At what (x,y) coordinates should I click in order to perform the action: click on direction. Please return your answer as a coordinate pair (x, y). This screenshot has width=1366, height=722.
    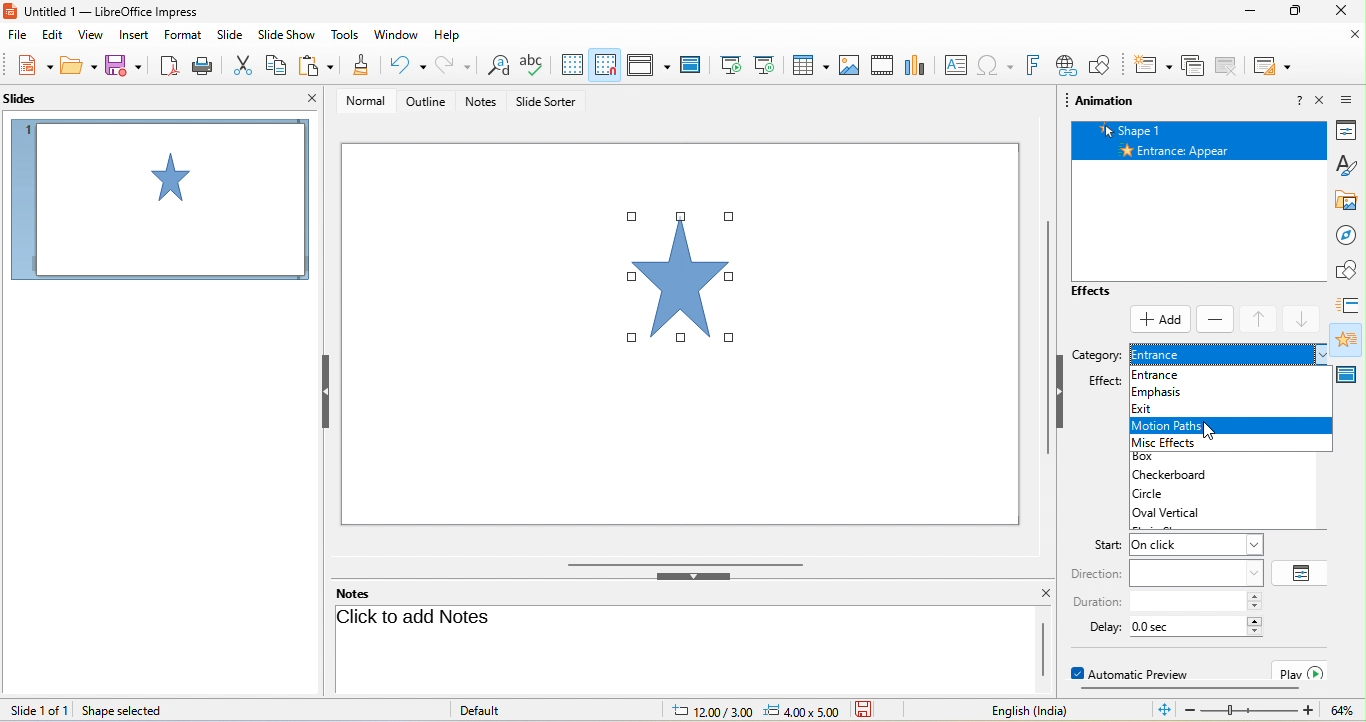
    Looking at the image, I should click on (1097, 574).